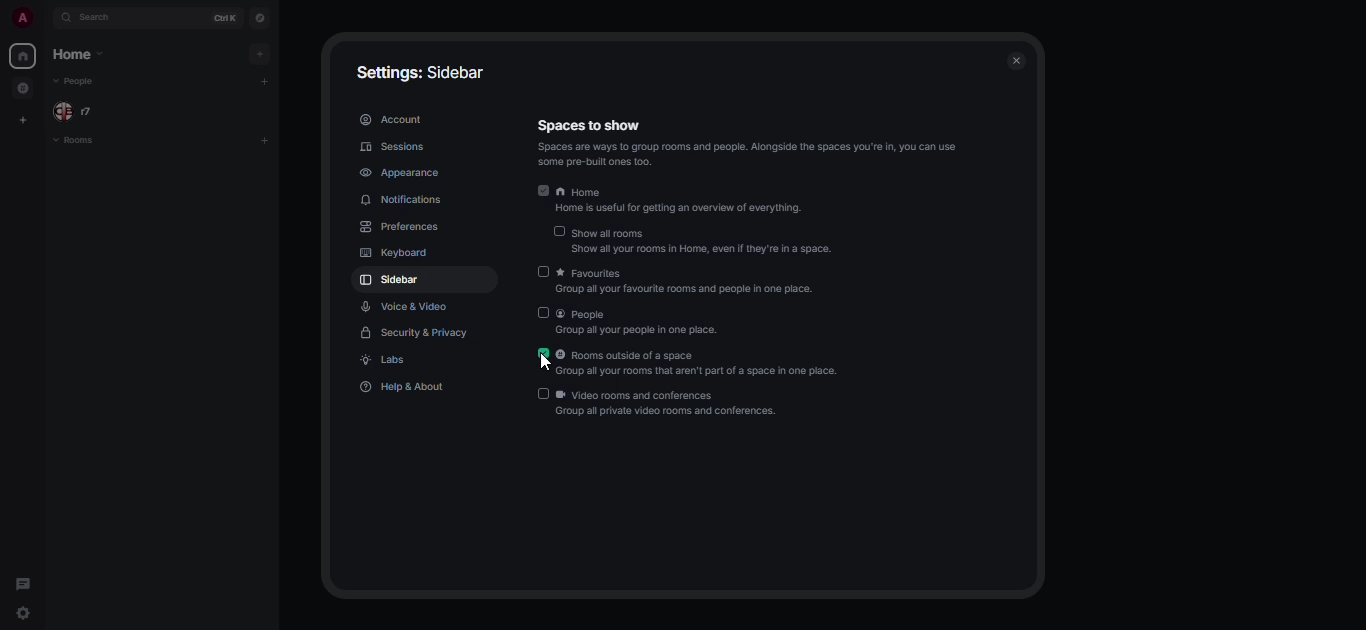 This screenshot has height=630, width=1366. Describe the element at coordinates (389, 361) in the screenshot. I see `labs` at that location.